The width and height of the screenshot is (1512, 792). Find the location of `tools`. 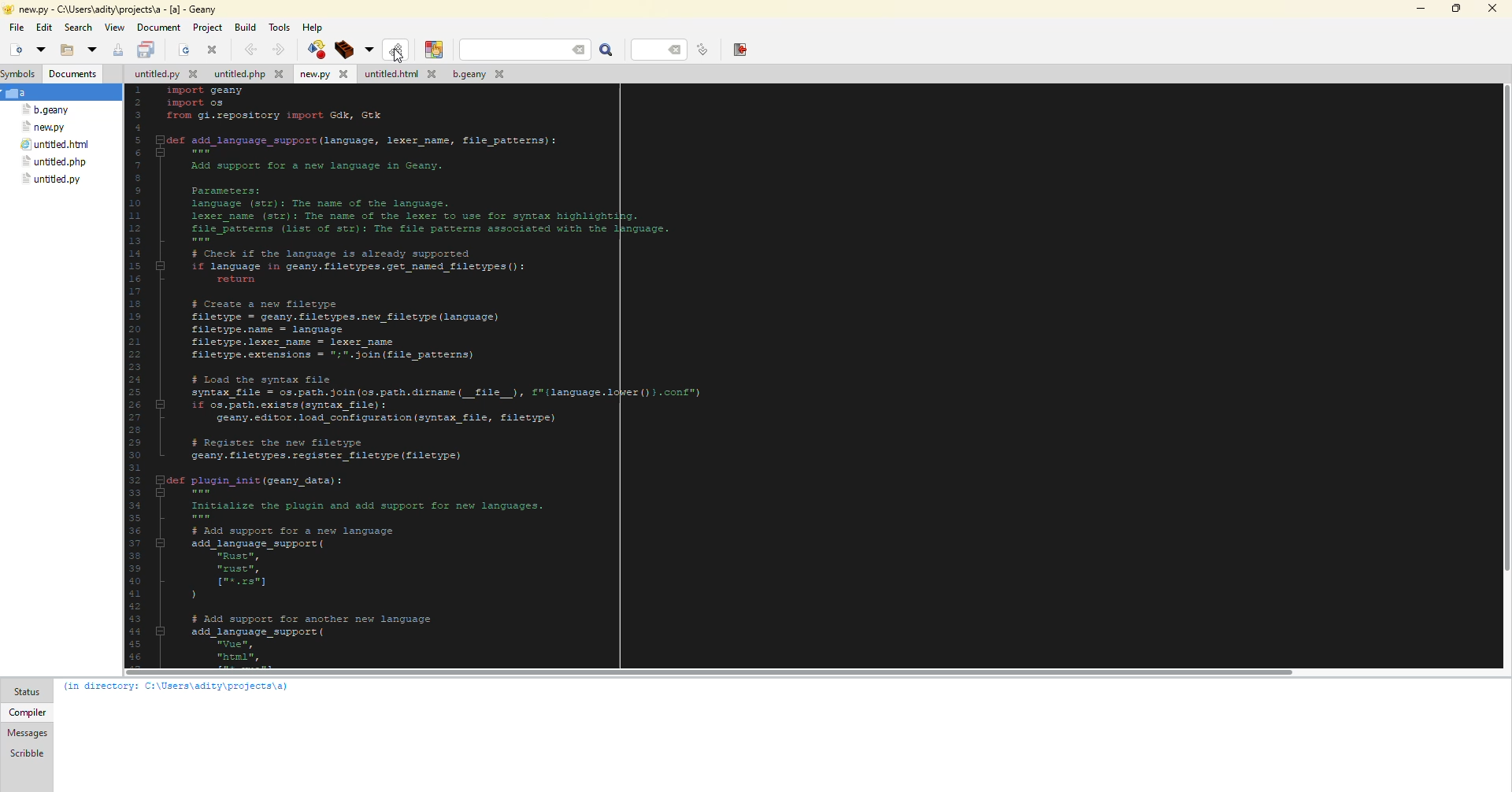

tools is located at coordinates (280, 27).